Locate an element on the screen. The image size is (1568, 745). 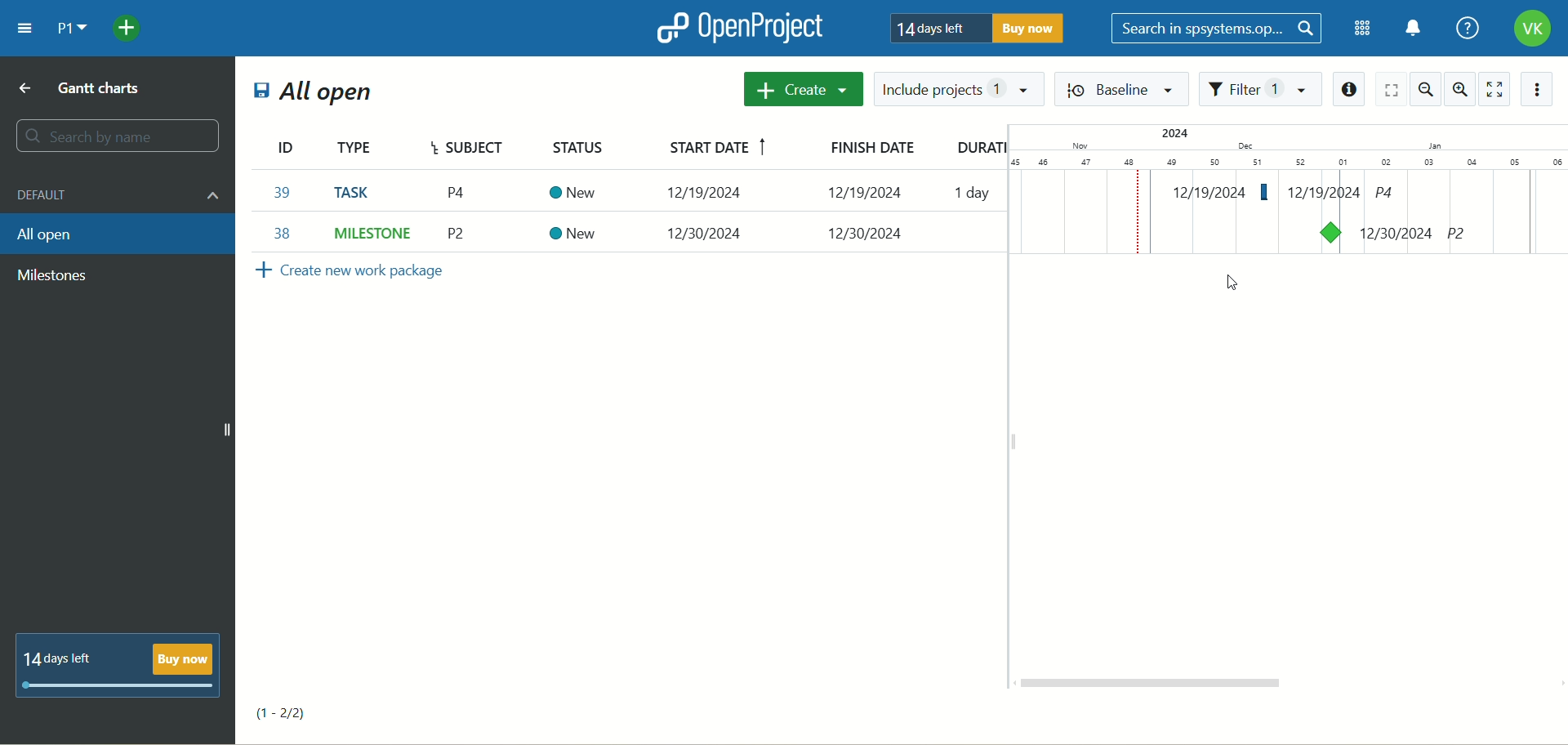
Nov is located at coordinates (1073, 145).